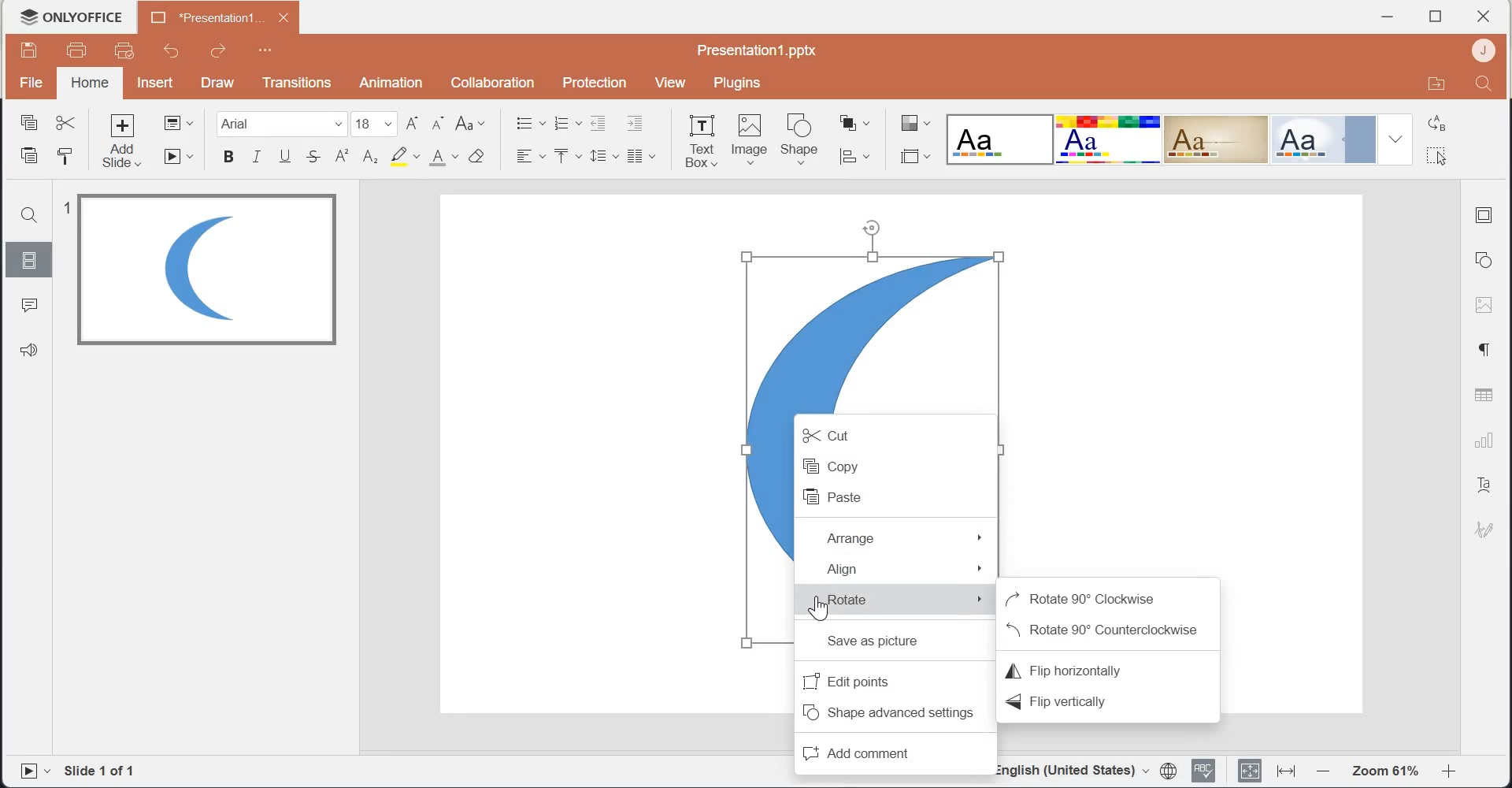 The height and width of the screenshot is (788, 1512). I want to click on Align, so click(902, 568).